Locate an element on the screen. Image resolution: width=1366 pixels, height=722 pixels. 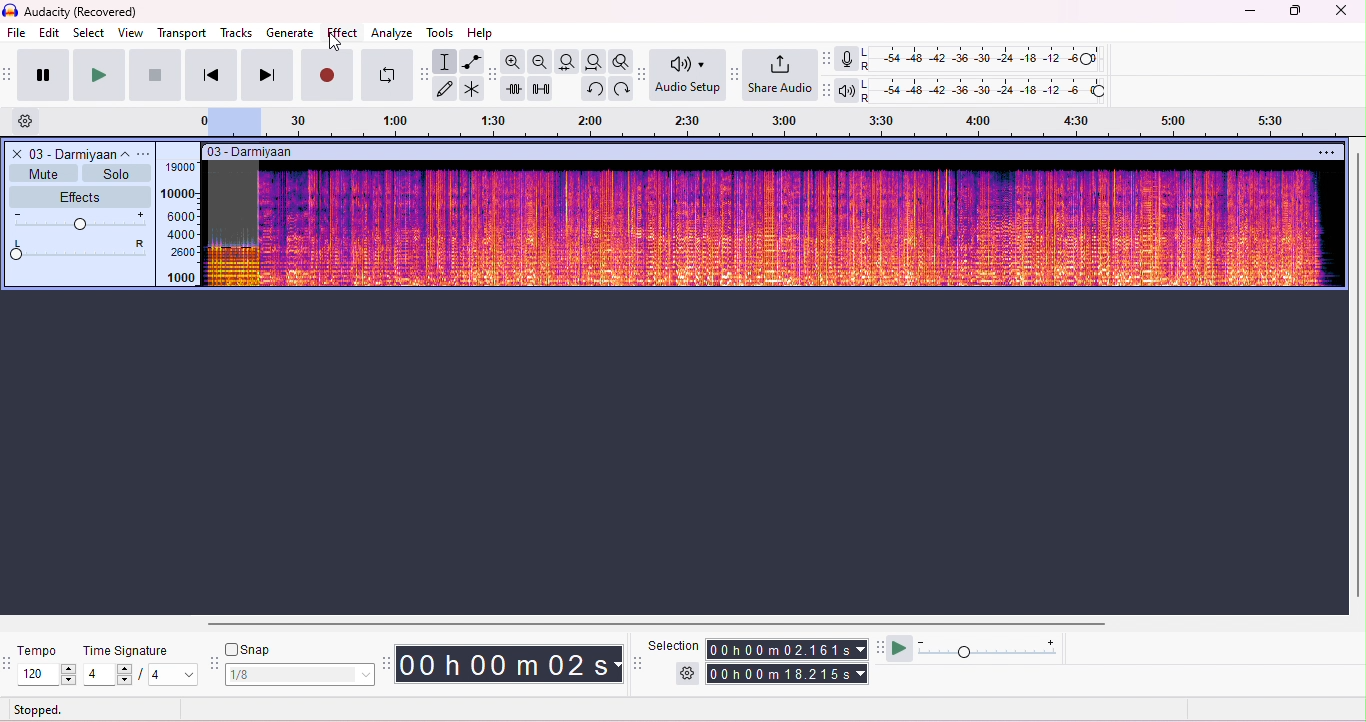
select snap is located at coordinates (302, 674).